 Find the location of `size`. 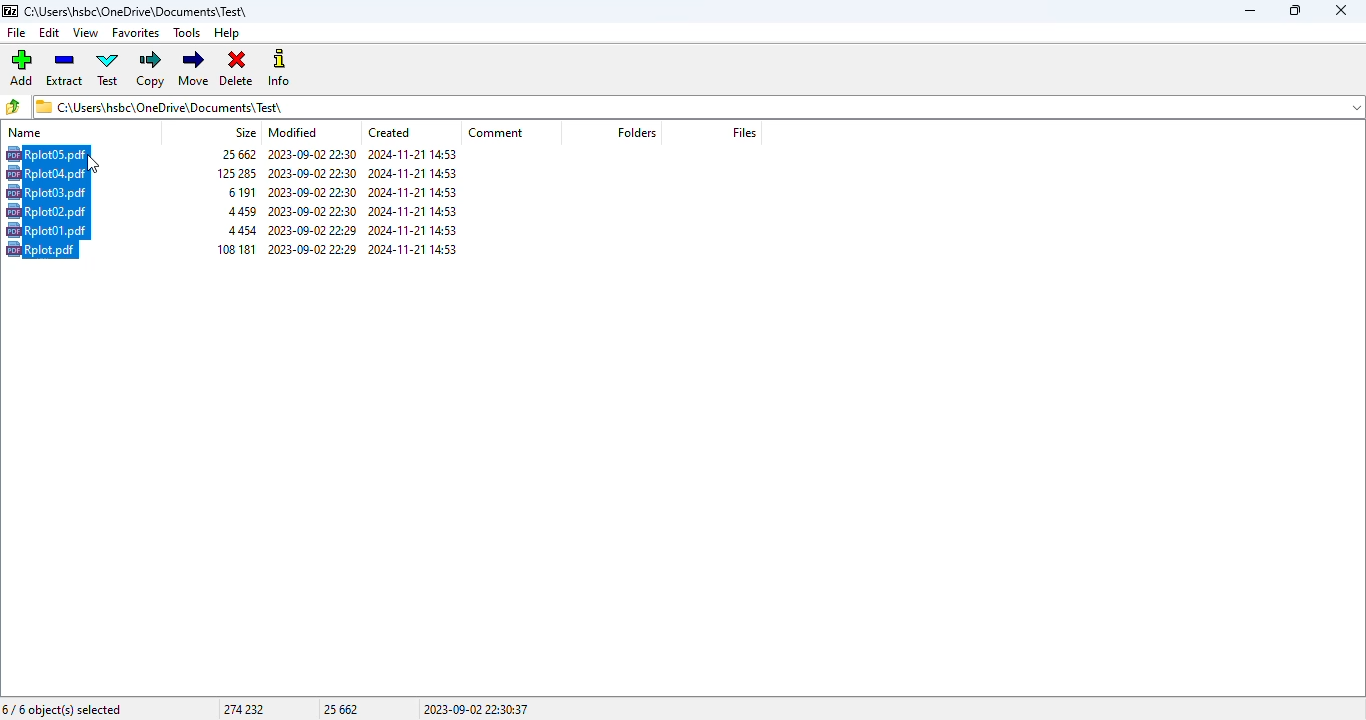

size is located at coordinates (242, 211).